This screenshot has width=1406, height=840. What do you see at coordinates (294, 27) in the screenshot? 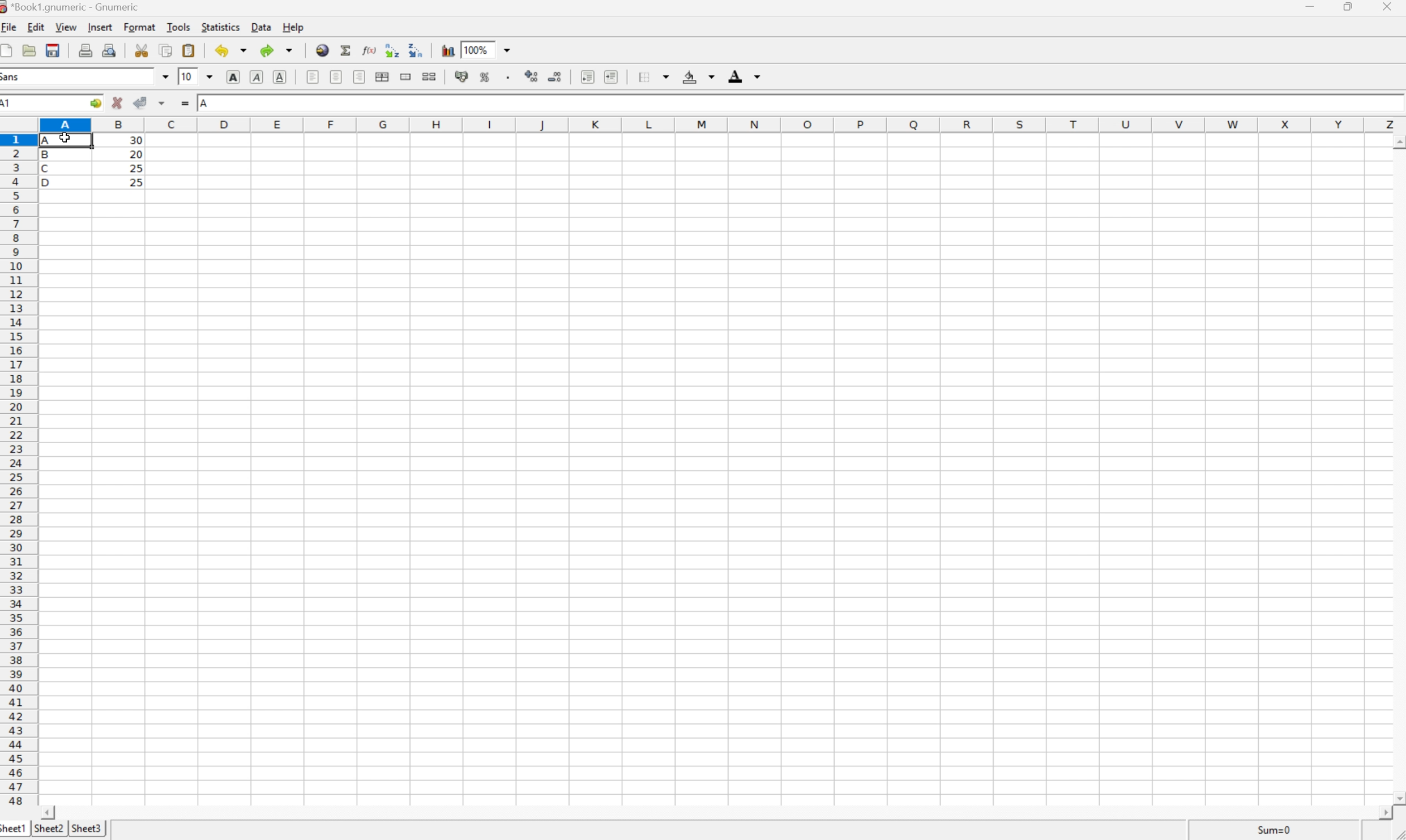
I see `Help` at bounding box center [294, 27].